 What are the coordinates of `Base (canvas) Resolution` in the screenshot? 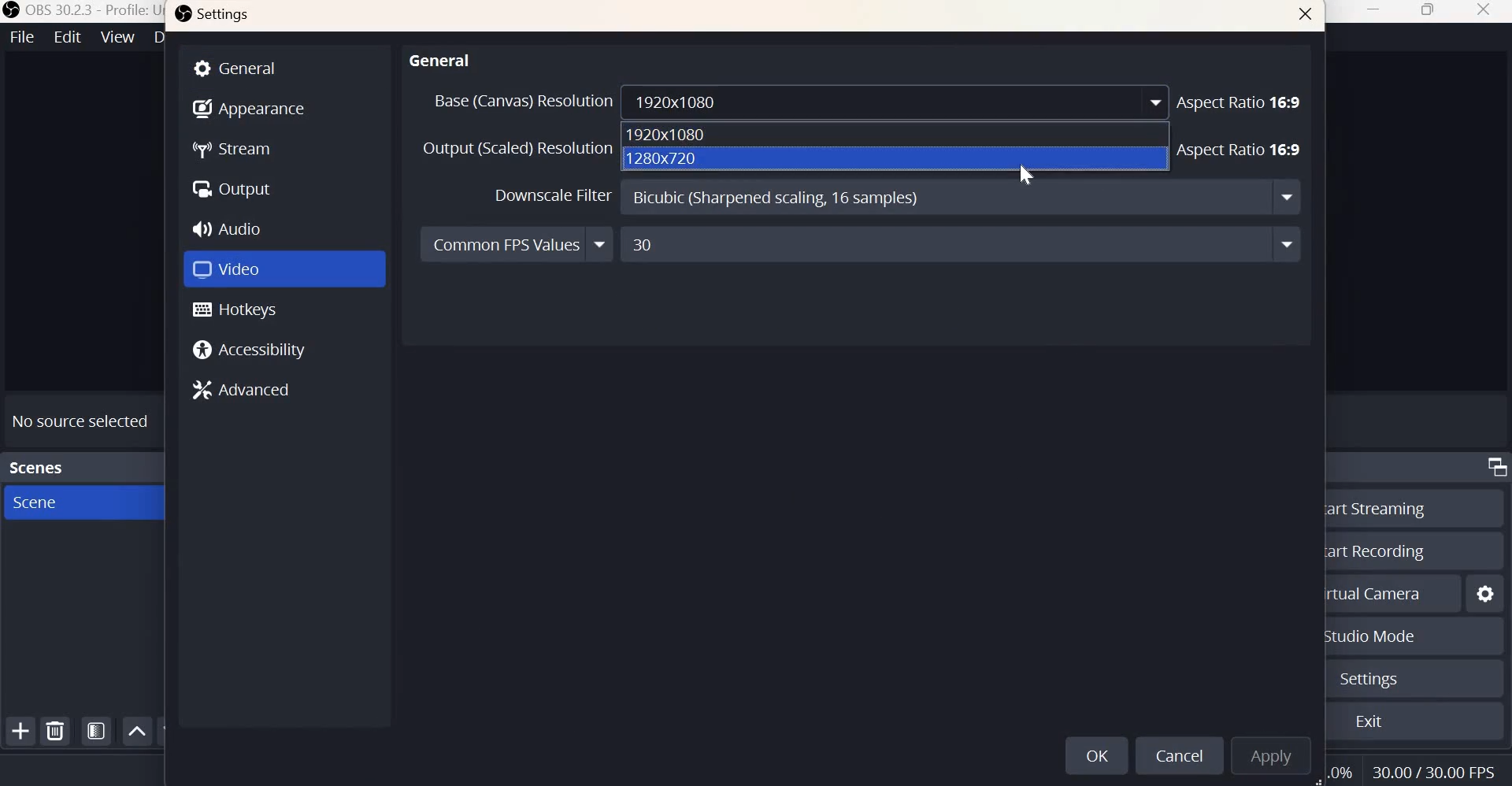 It's located at (521, 101).